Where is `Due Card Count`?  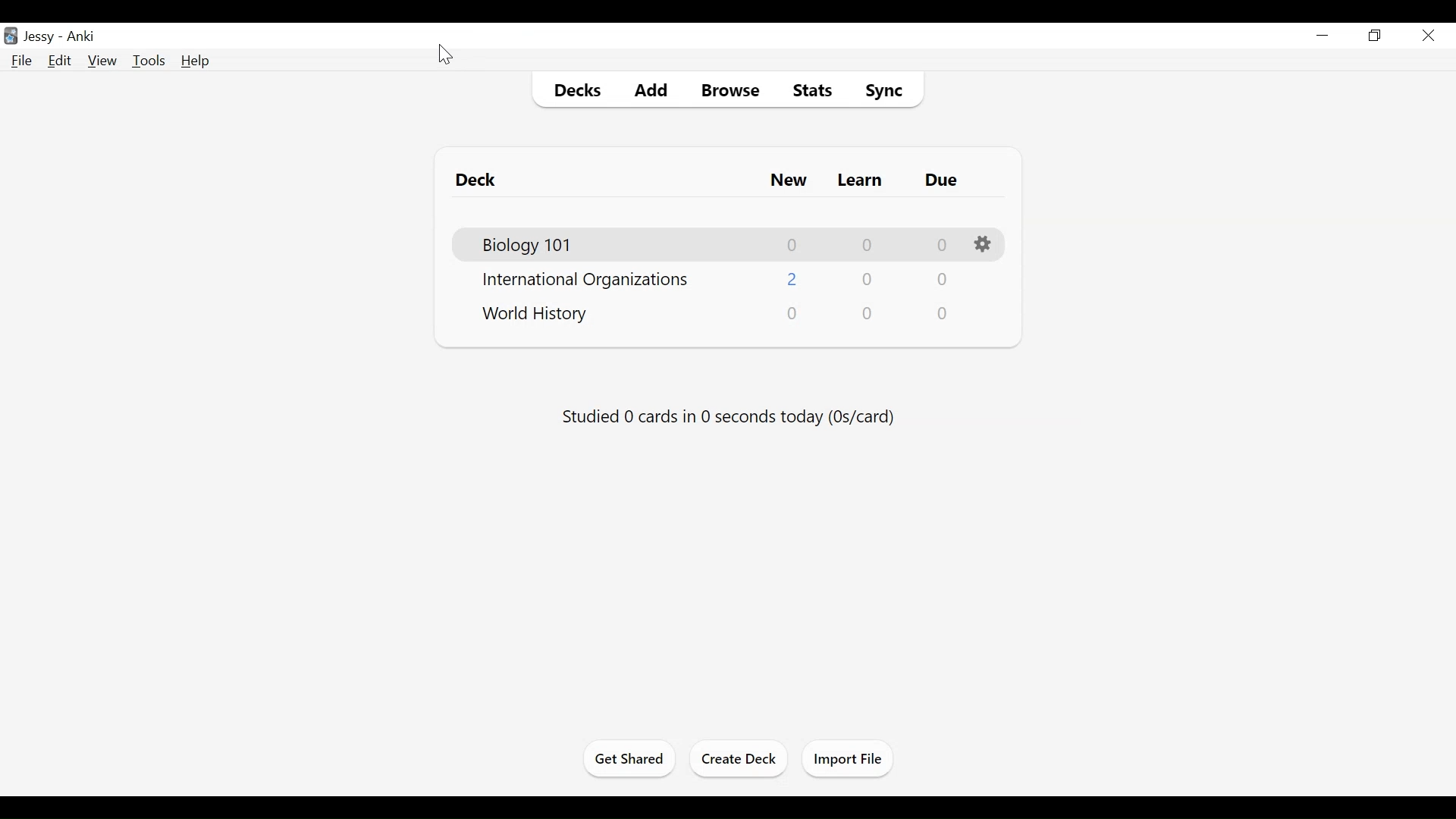 Due Card Count is located at coordinates (941, 246).